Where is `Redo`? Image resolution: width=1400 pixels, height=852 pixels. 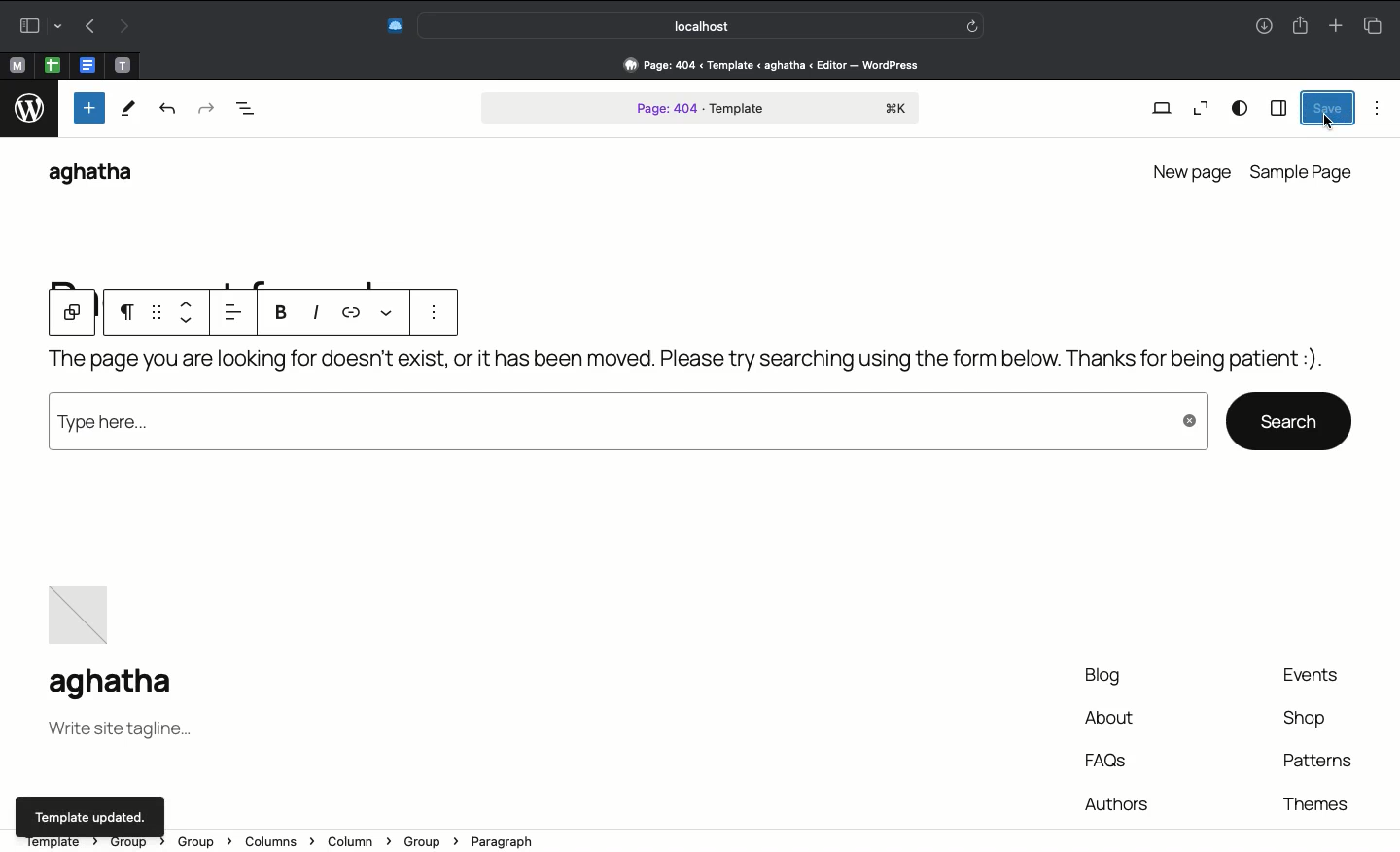 Redo is located at coordinates (122, 27).